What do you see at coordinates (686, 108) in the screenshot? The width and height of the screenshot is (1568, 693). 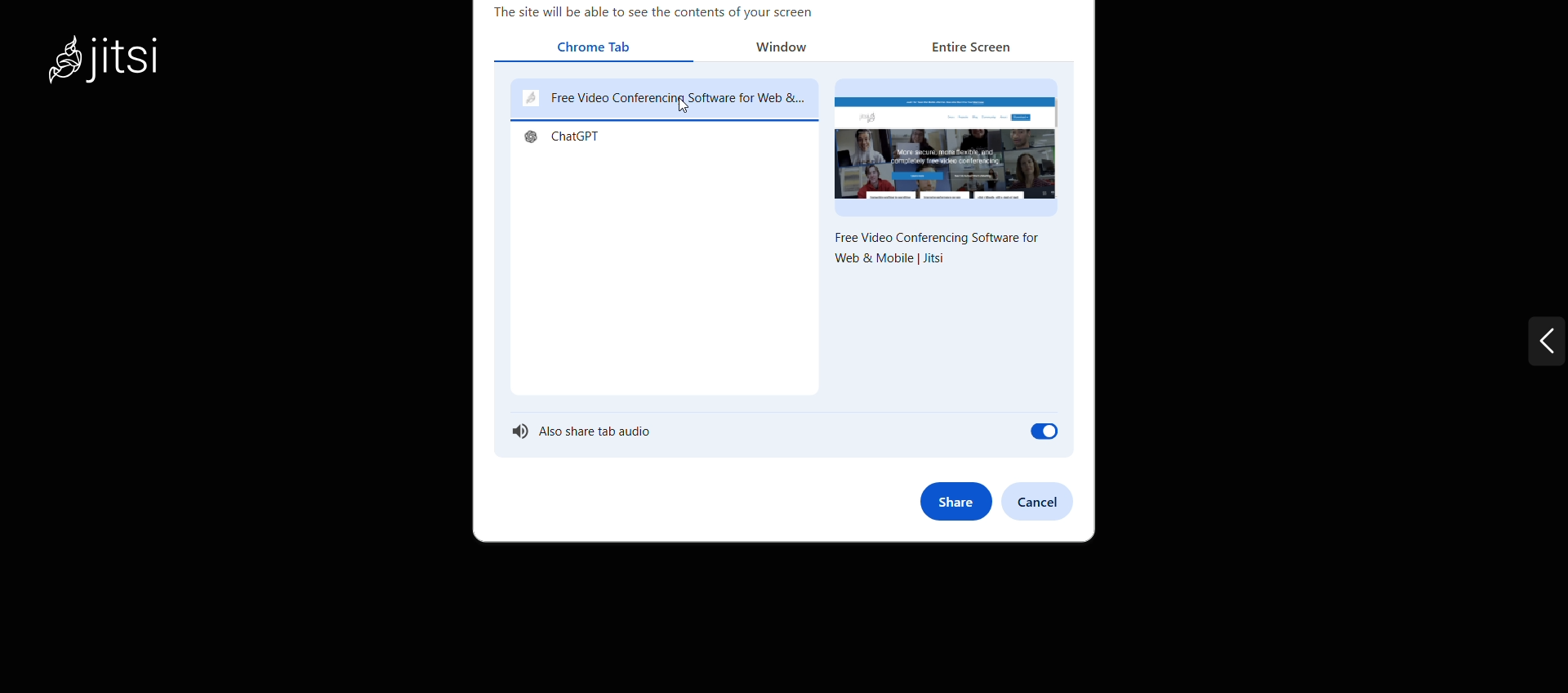 I see `cursor` at bounding box center [686, 108].